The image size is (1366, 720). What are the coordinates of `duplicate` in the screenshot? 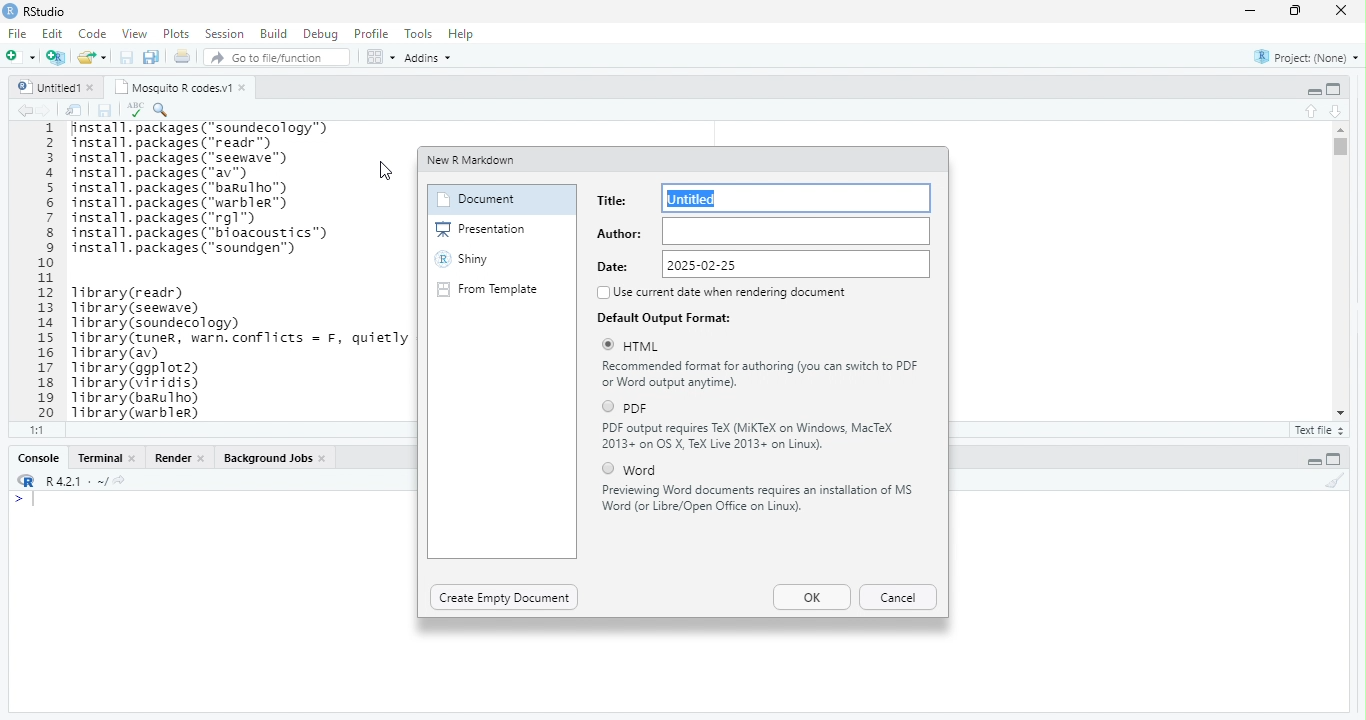 It's located at (152, 57).